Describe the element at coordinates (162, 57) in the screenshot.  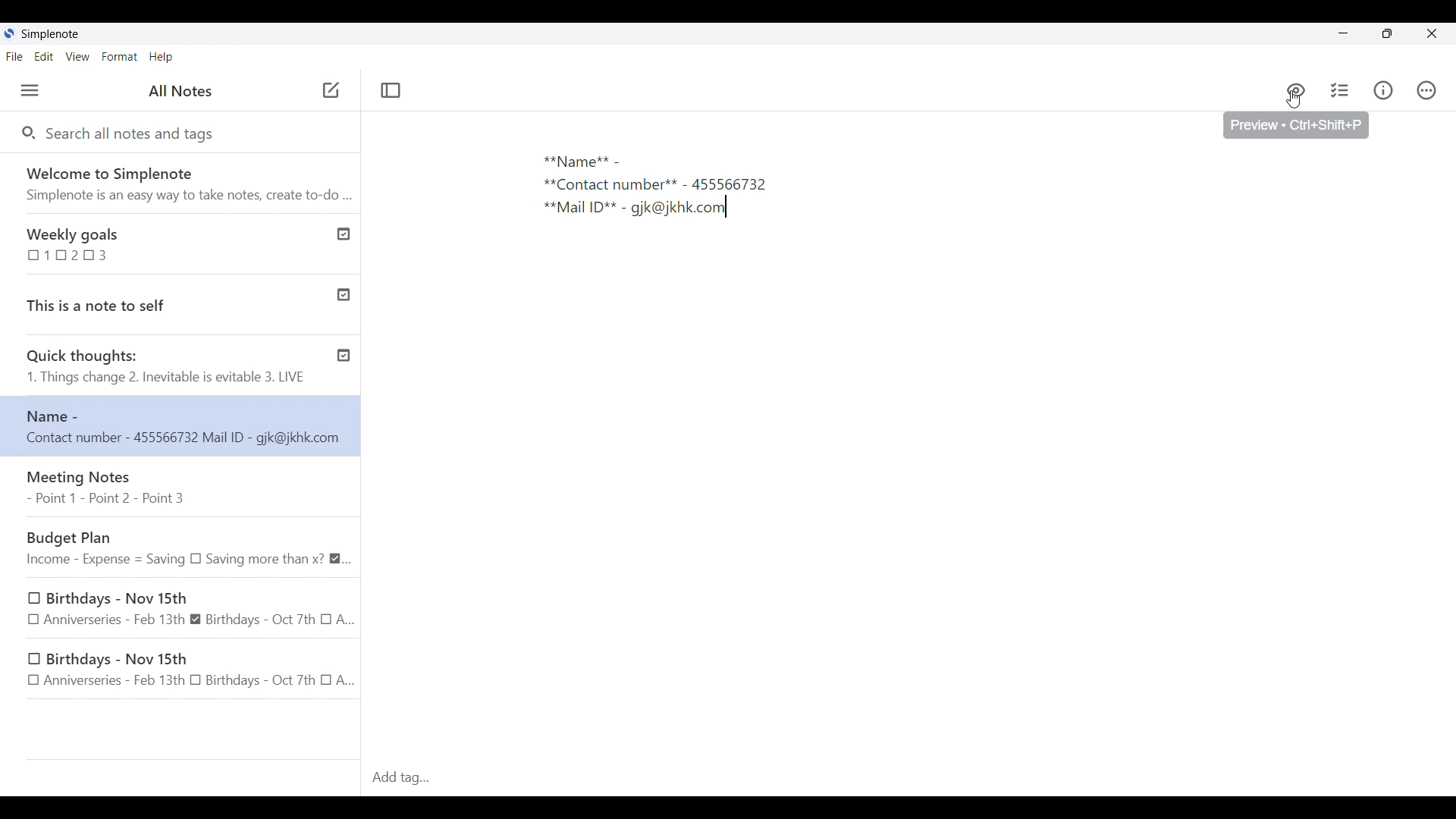
I see `Help menu` at that location.